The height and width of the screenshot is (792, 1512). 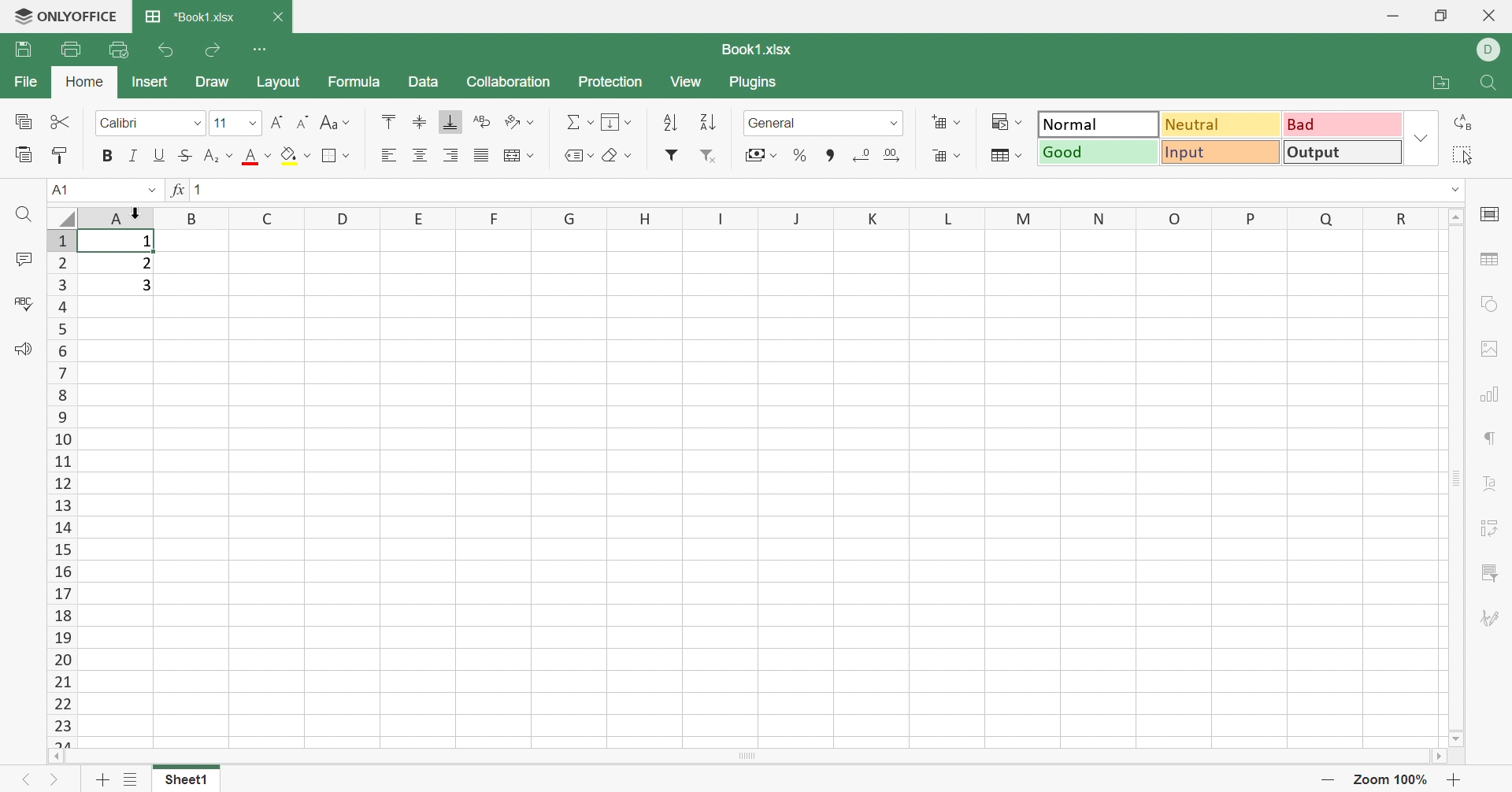 I want to click on Output, so click(x=1345, y=152).